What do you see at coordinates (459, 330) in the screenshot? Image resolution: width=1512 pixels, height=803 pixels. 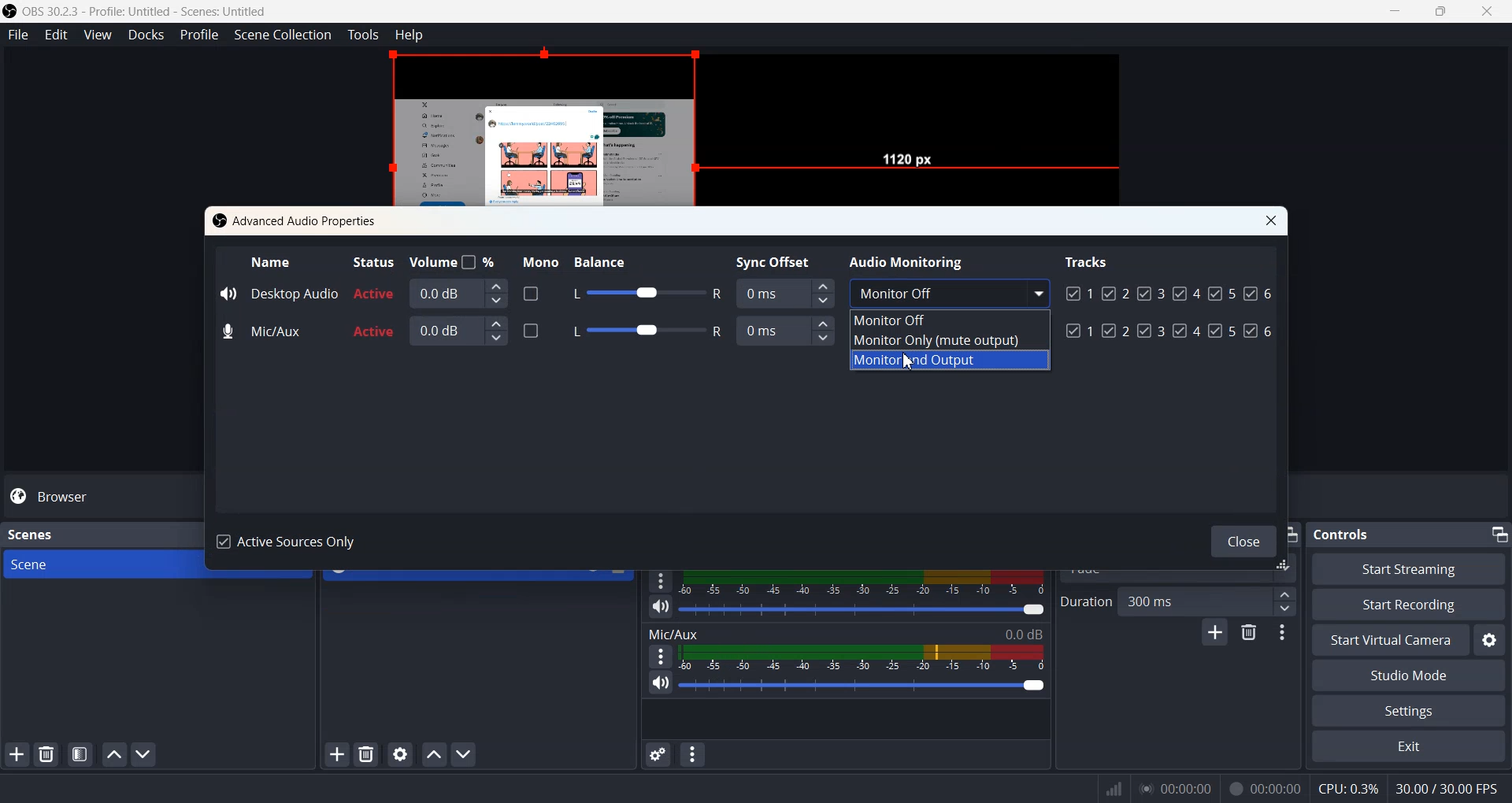 I see `0.0 dB` at bounding box center [459, 330].